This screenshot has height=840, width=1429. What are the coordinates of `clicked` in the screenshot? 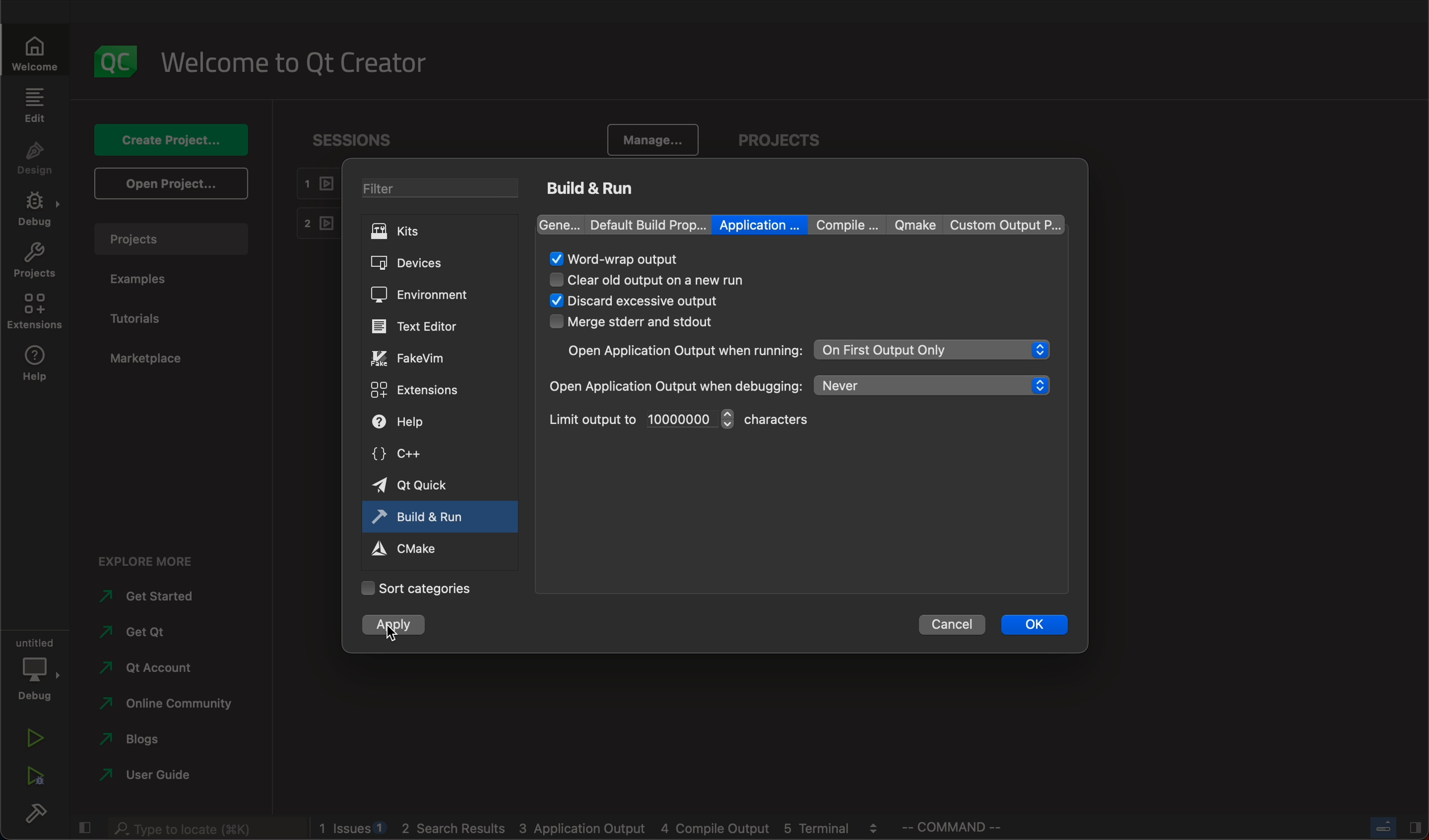 It's located at (398, 625).